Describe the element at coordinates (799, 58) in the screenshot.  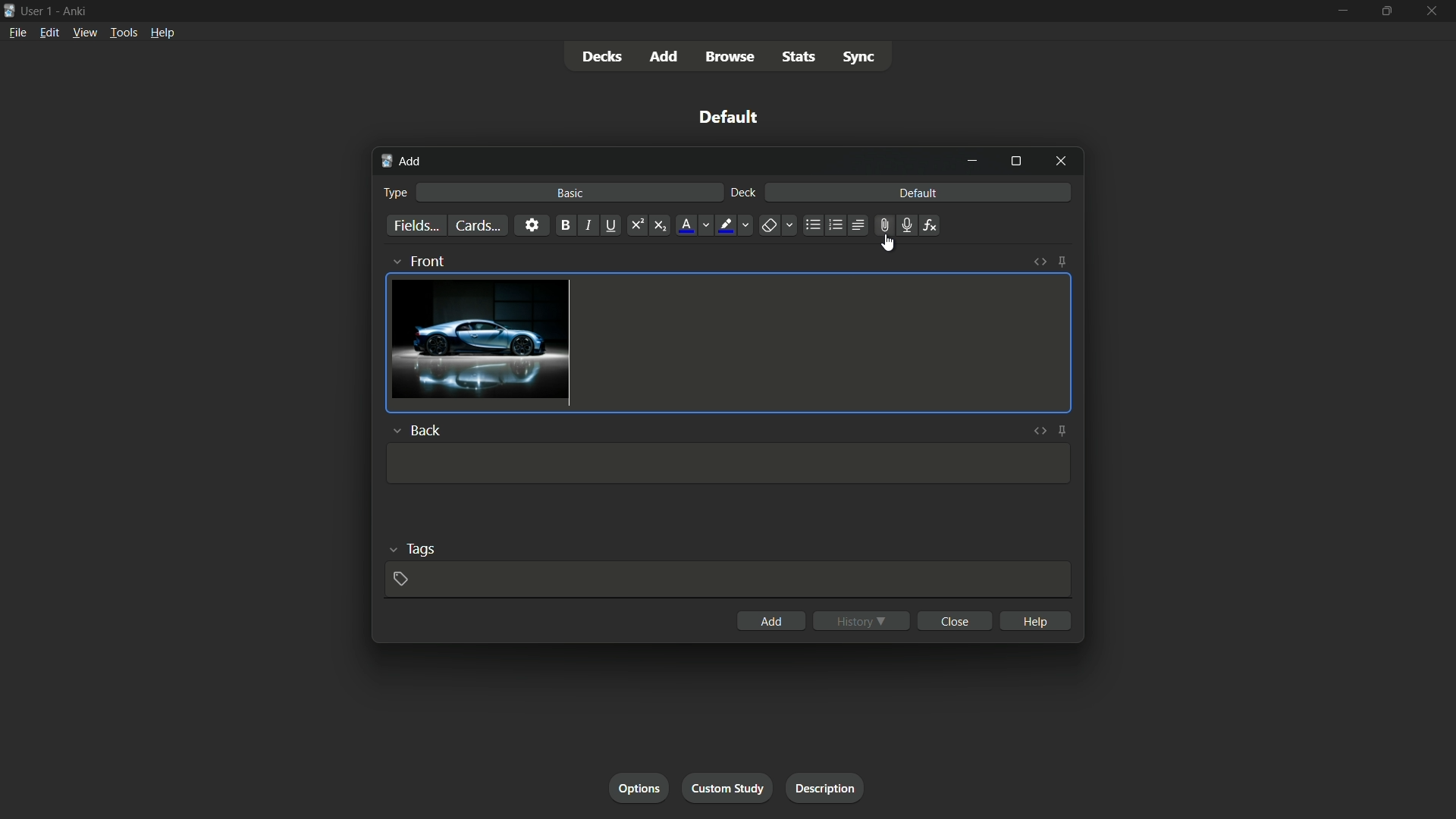
I see `stats` at that location.